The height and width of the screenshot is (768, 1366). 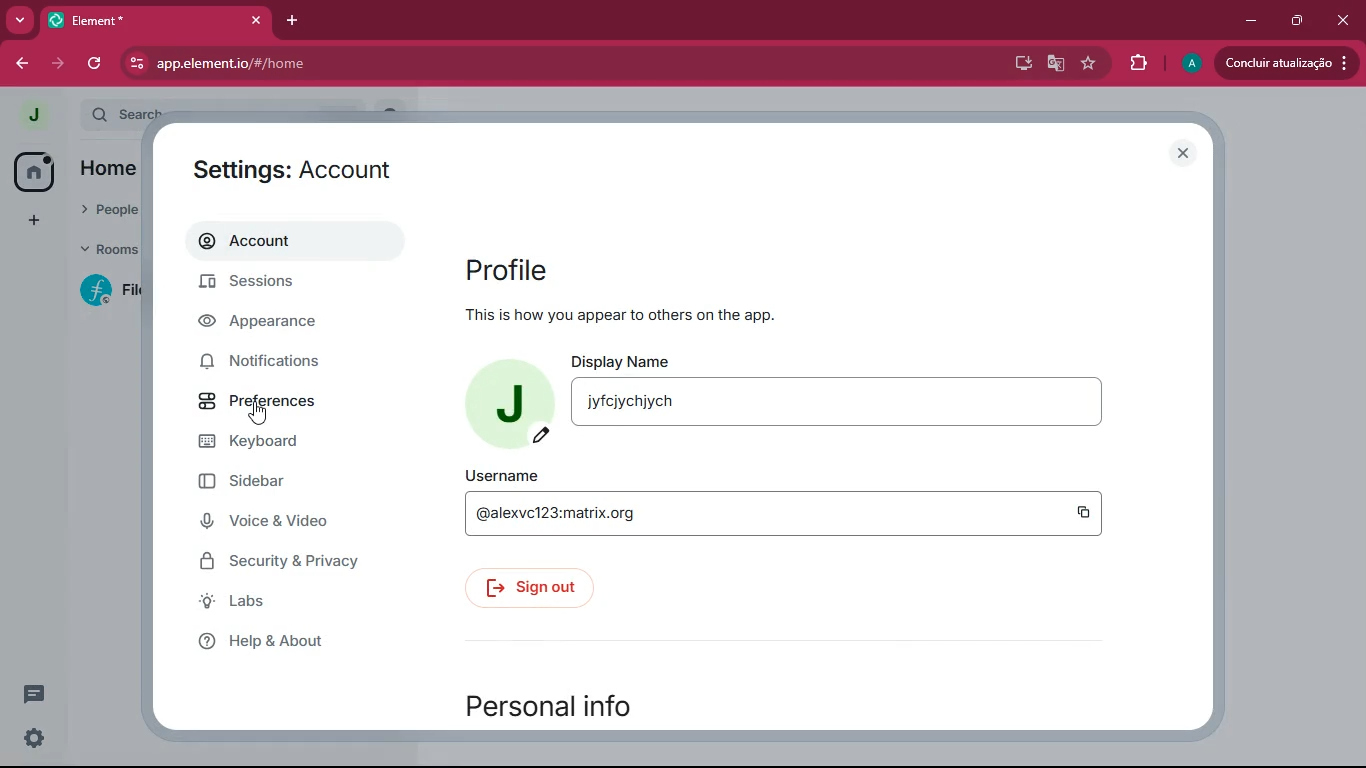 What do you see at coordinates (512, 402) in the screenshot?
I see `profile picture` at bounding box center [512, 402].